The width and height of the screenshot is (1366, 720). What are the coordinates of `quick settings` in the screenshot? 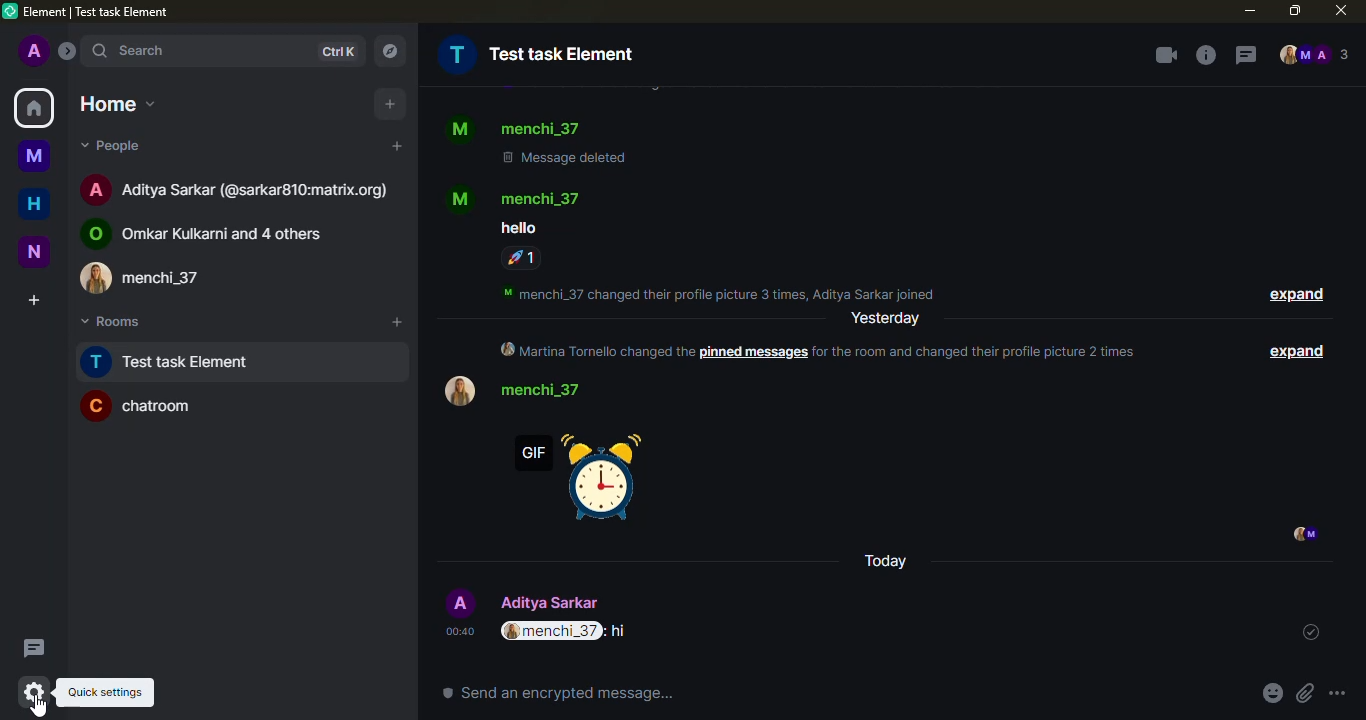 It's located at (110, 692).